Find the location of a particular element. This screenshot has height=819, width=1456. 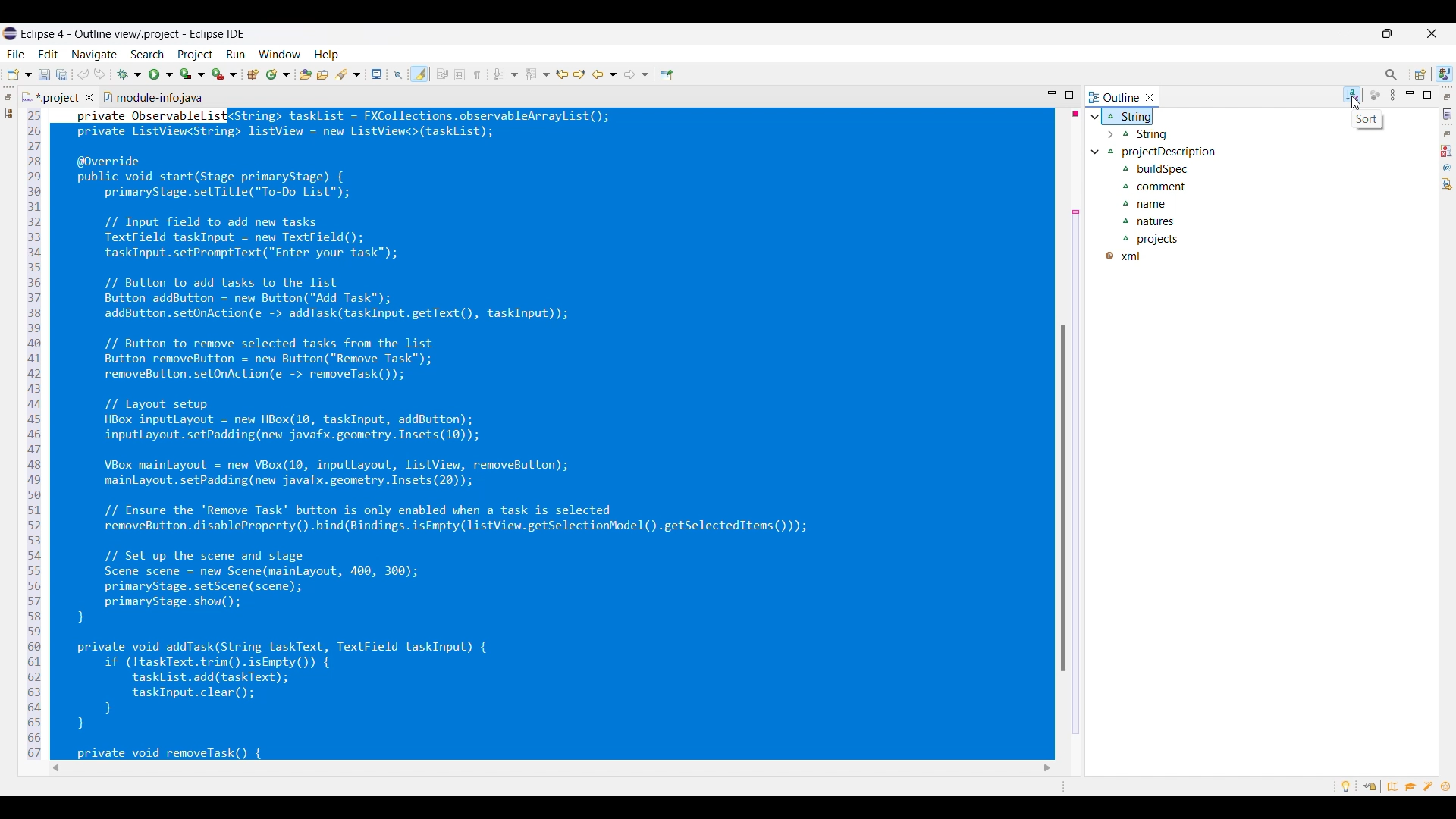

Other tab is located at coordinates (152, 96).